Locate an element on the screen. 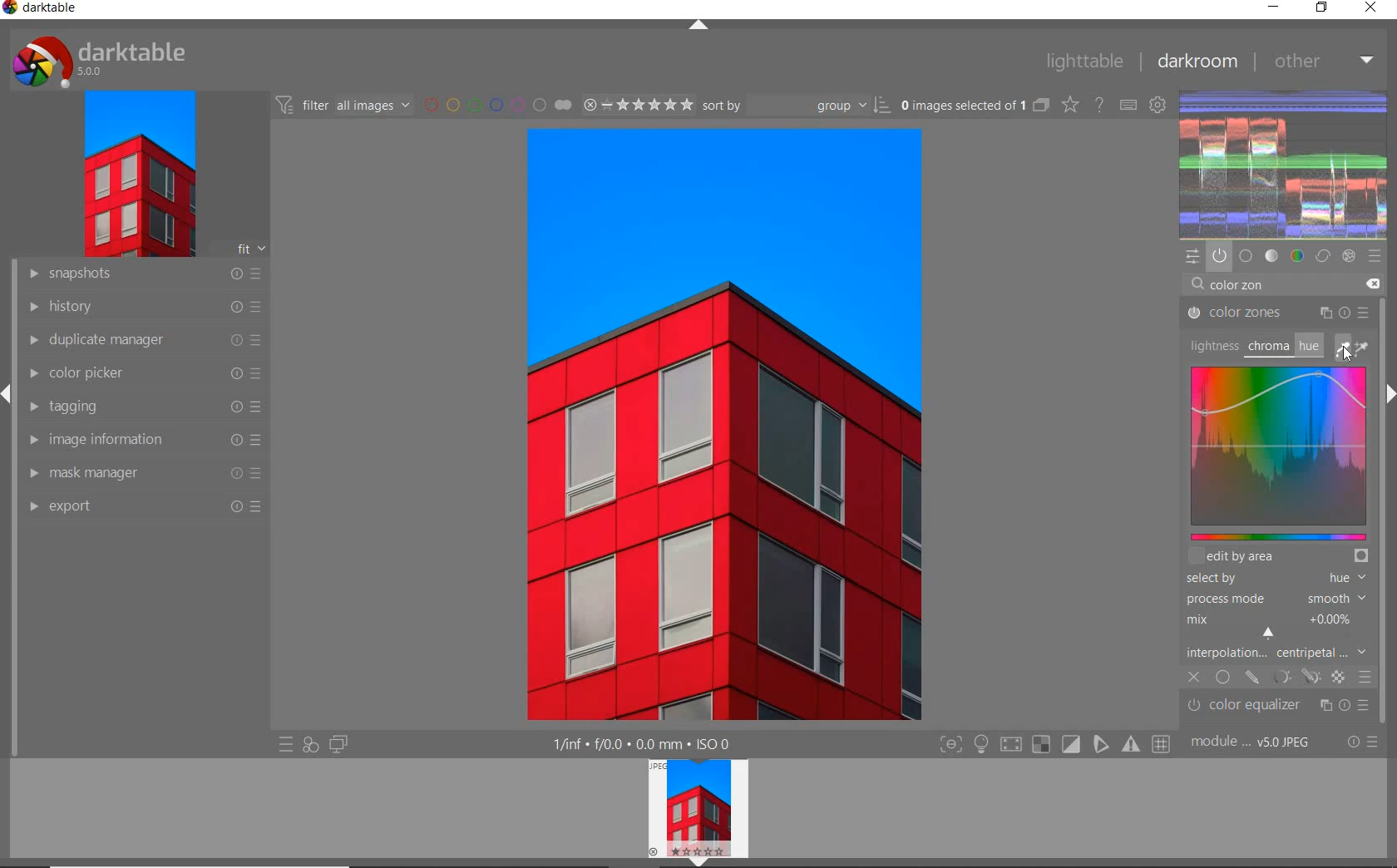  guides overlay is located at coordinates (1100, 745).